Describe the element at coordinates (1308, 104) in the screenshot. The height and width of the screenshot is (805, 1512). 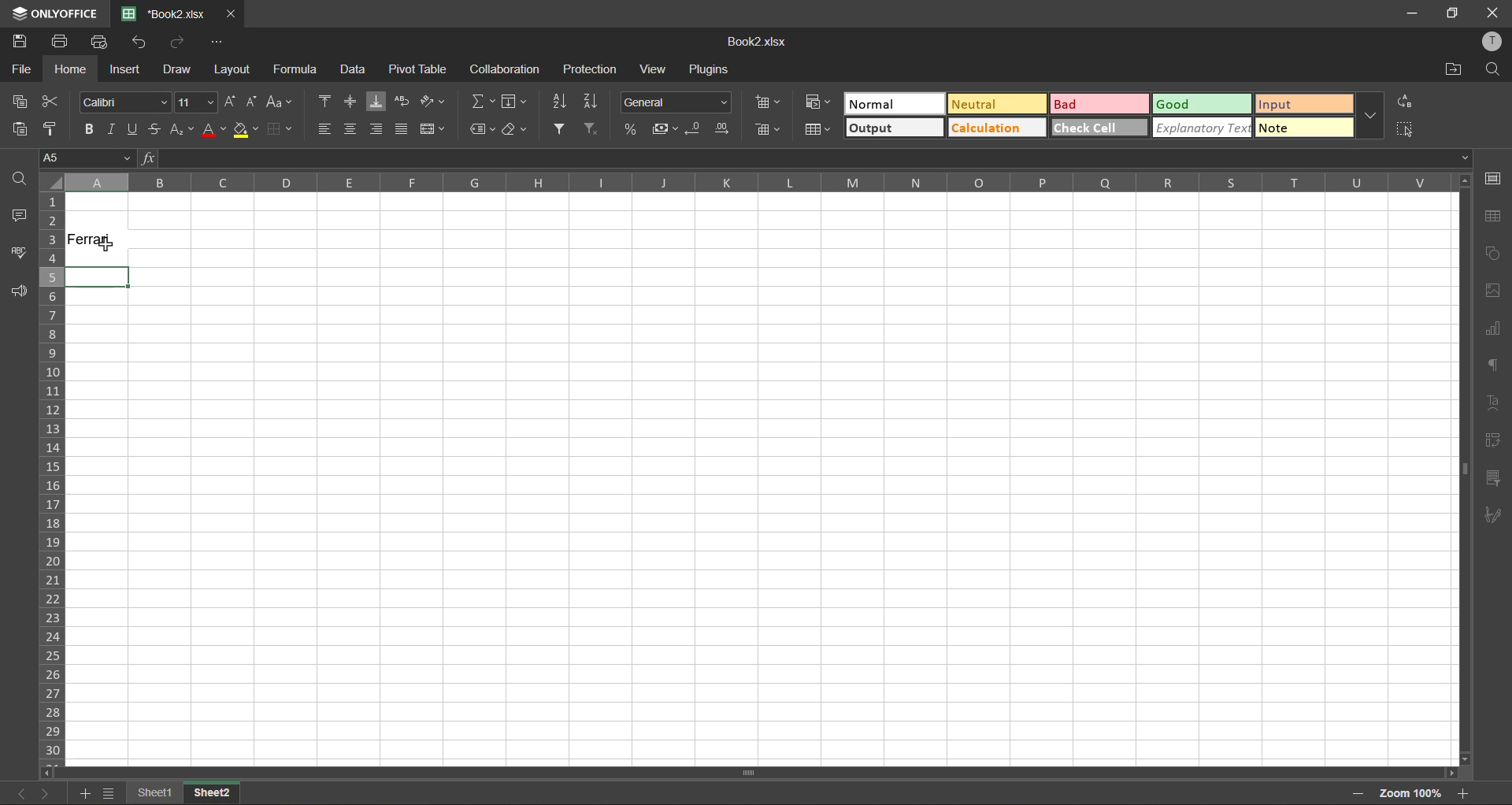
I see `input` at that location.